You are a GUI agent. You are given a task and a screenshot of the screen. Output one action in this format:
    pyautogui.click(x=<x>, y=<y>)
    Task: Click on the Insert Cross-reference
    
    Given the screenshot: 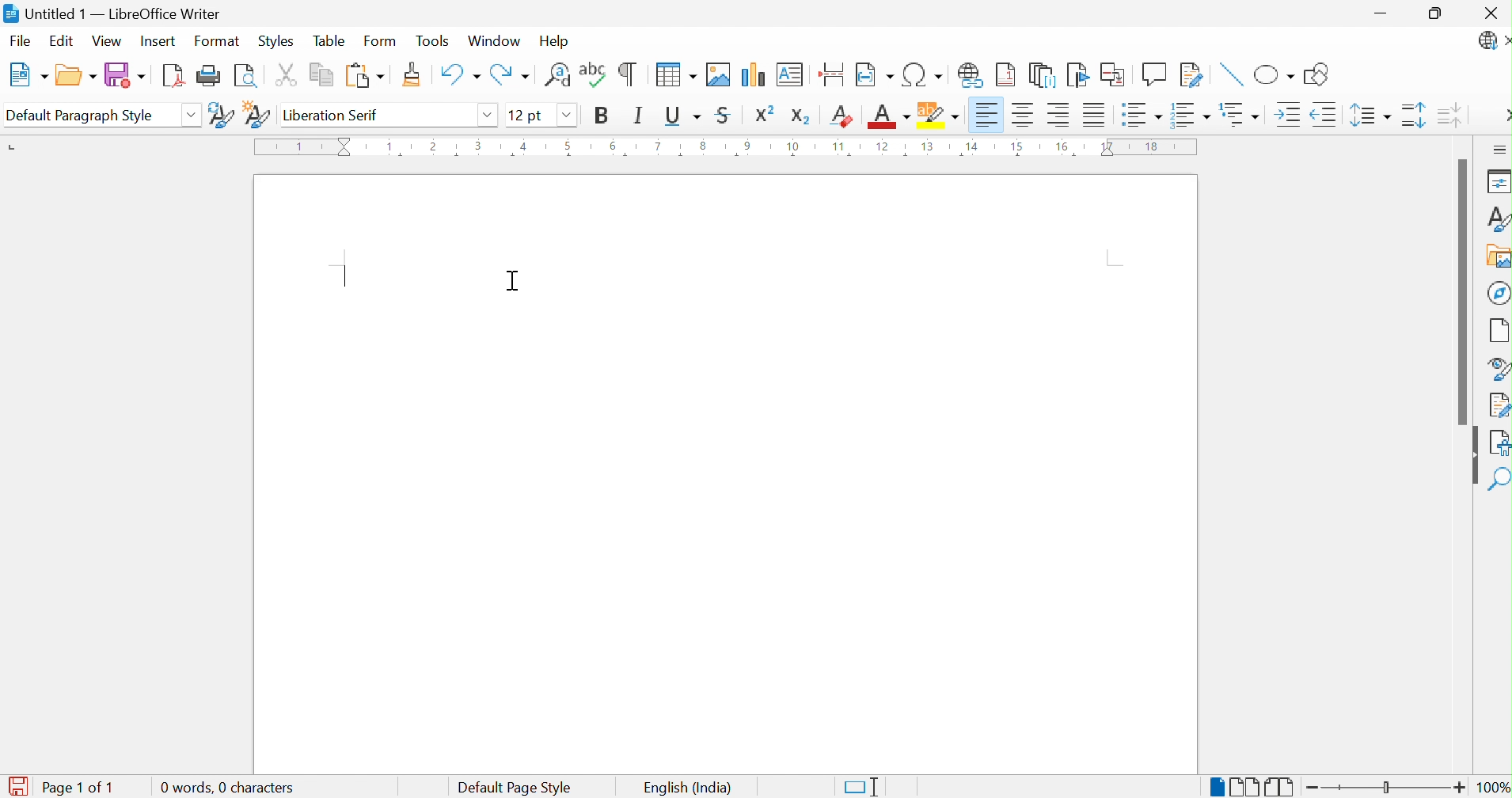 What is the action you would take?
    pyautogui.click(x=1115, y=74)
    